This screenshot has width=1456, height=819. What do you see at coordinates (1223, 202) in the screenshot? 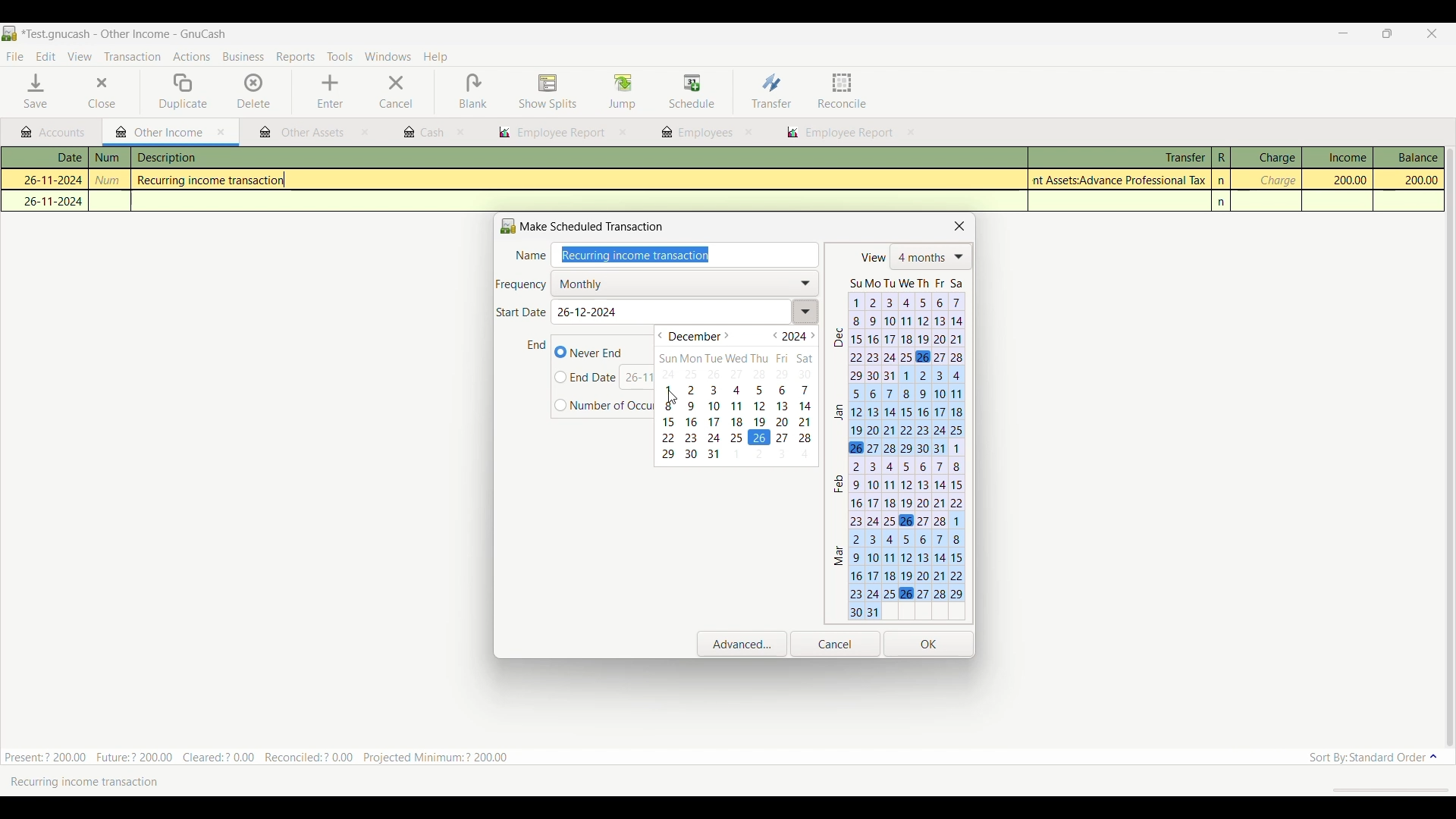
I see `n` at bounding box center [1223, 202].